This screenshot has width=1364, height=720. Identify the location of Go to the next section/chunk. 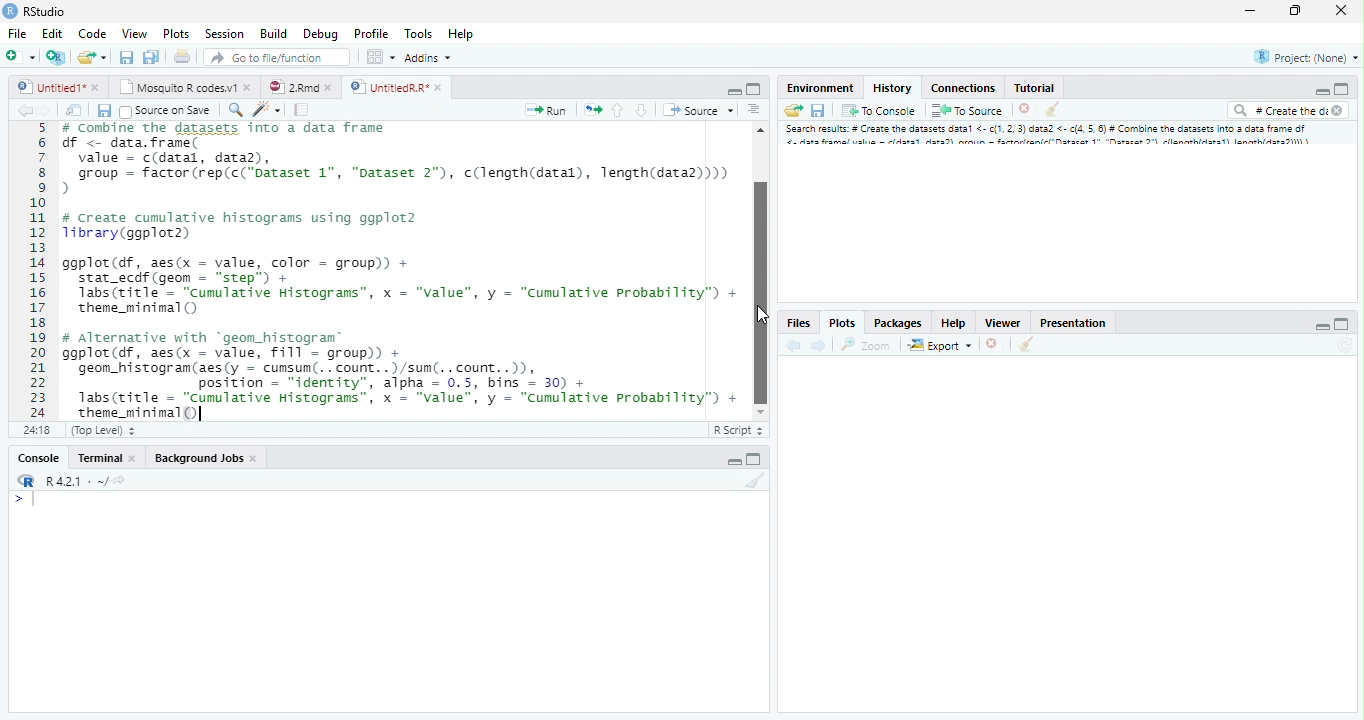
(641, 111).